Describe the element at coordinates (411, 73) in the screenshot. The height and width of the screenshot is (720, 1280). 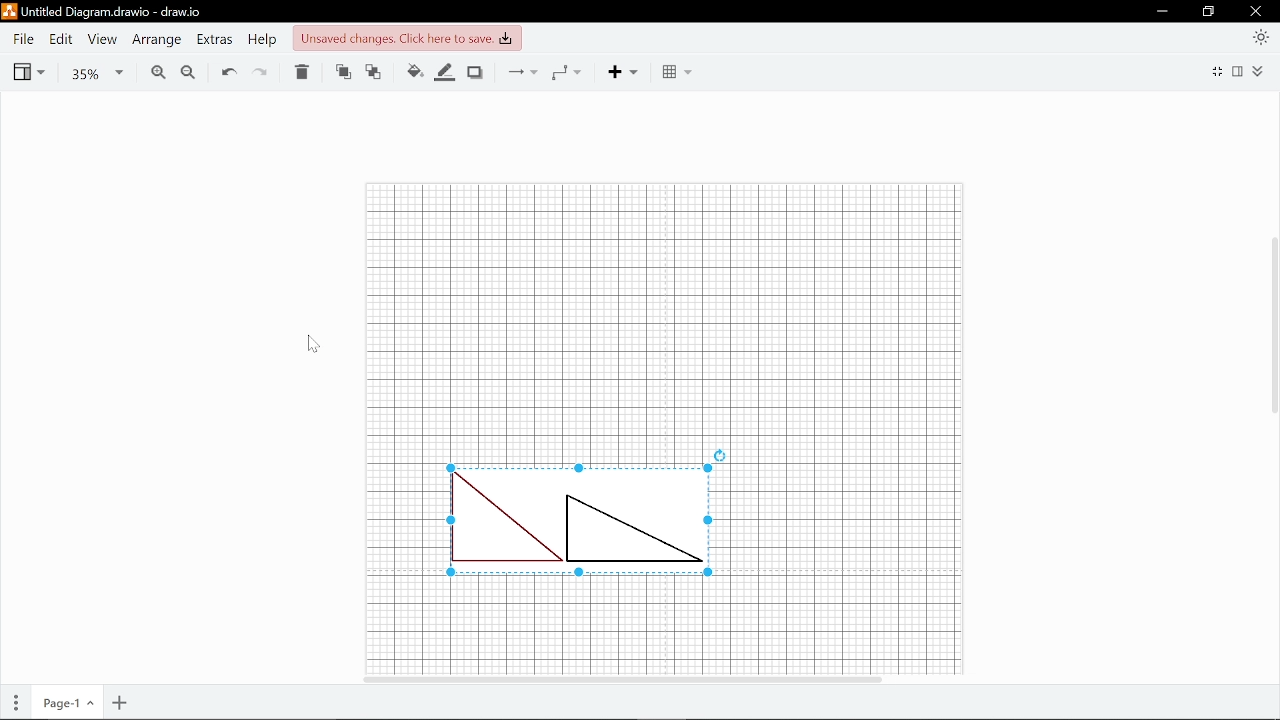
I see `Fill color` at that location.